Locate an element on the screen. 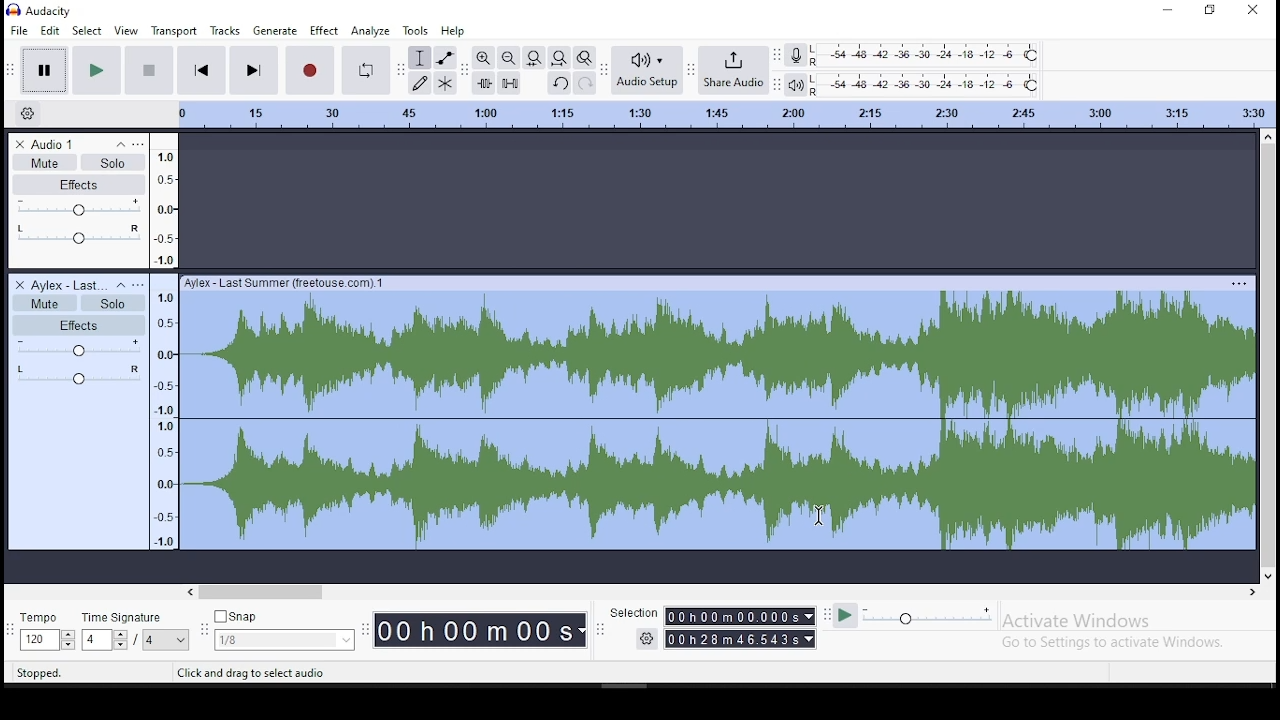  fit selection to width is located at coordinates (534, 59).